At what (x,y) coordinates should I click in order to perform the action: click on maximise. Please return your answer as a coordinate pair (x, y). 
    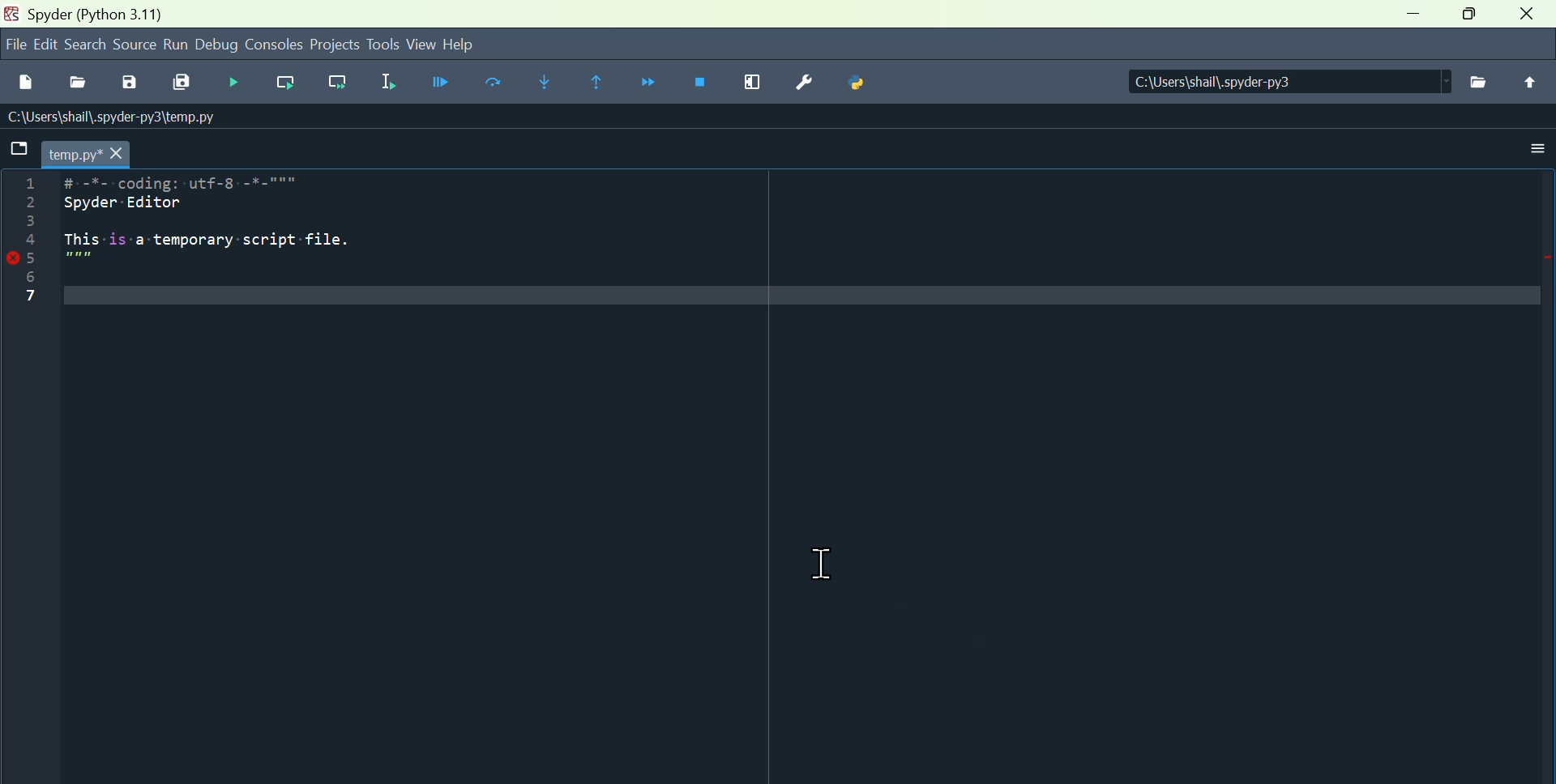
    Looking at the image, I should click on (1471, 17).